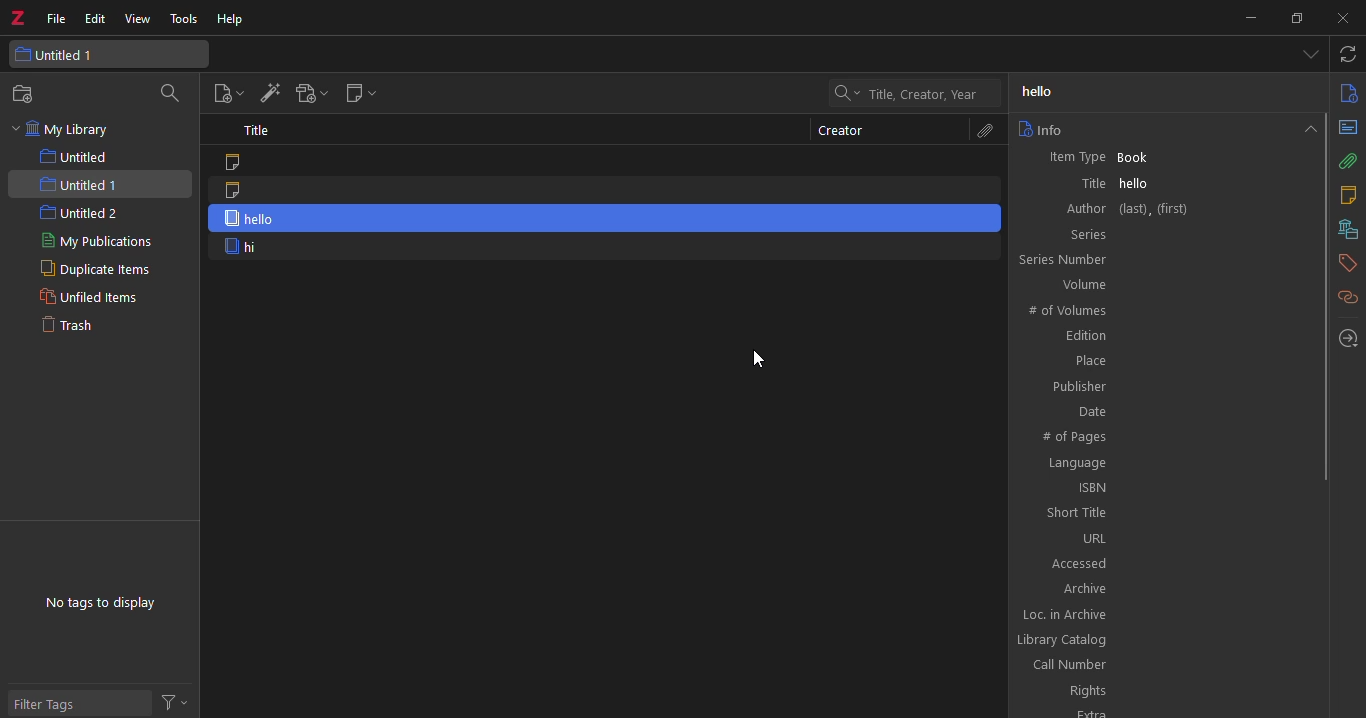 This screenshot has height=718, width=1366. I want to click on actions, so click(179, 701).